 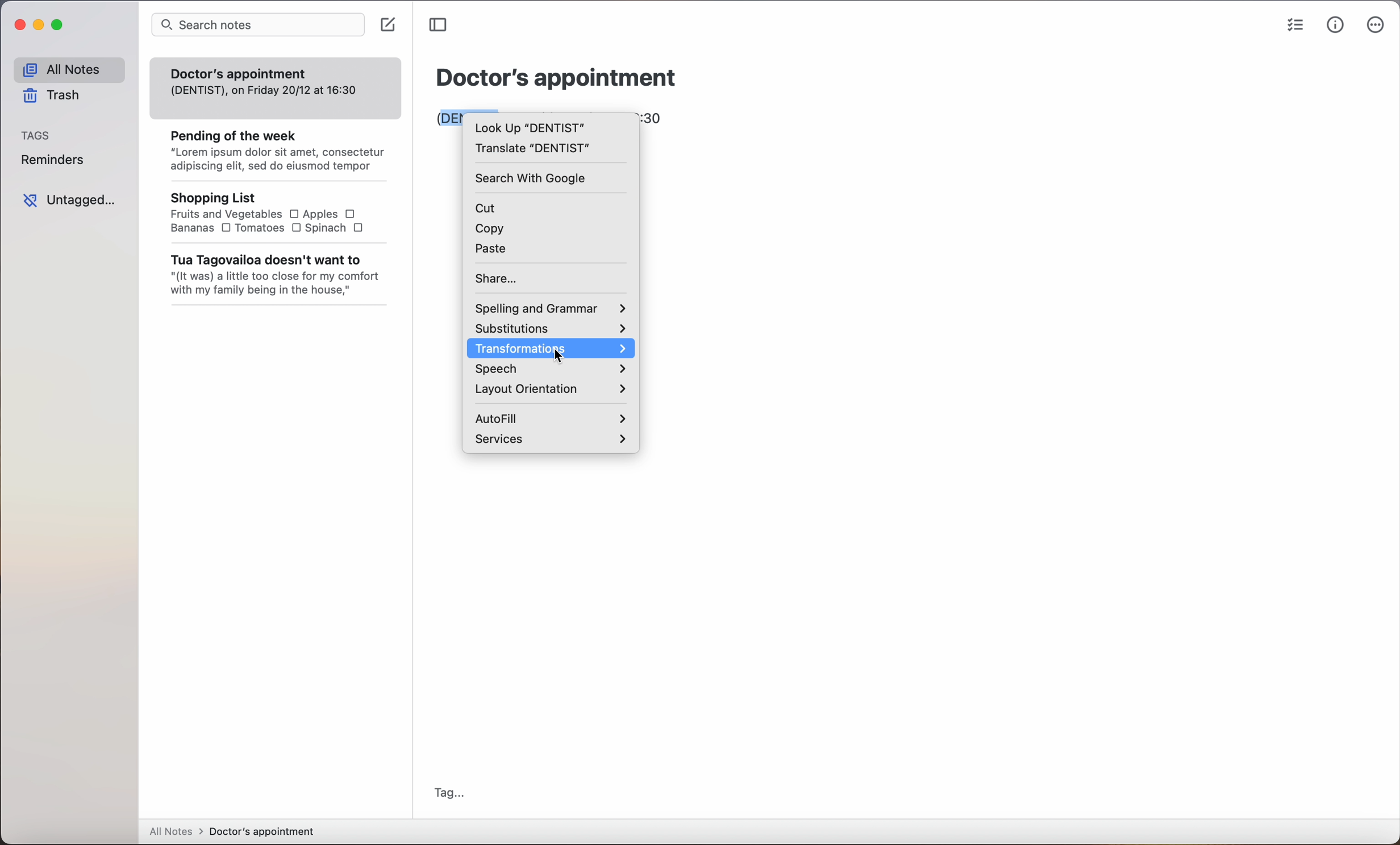 What do you see at coordinates (52, 97) in the screenshot?
I see `trash` at bounding box center [52, 97].